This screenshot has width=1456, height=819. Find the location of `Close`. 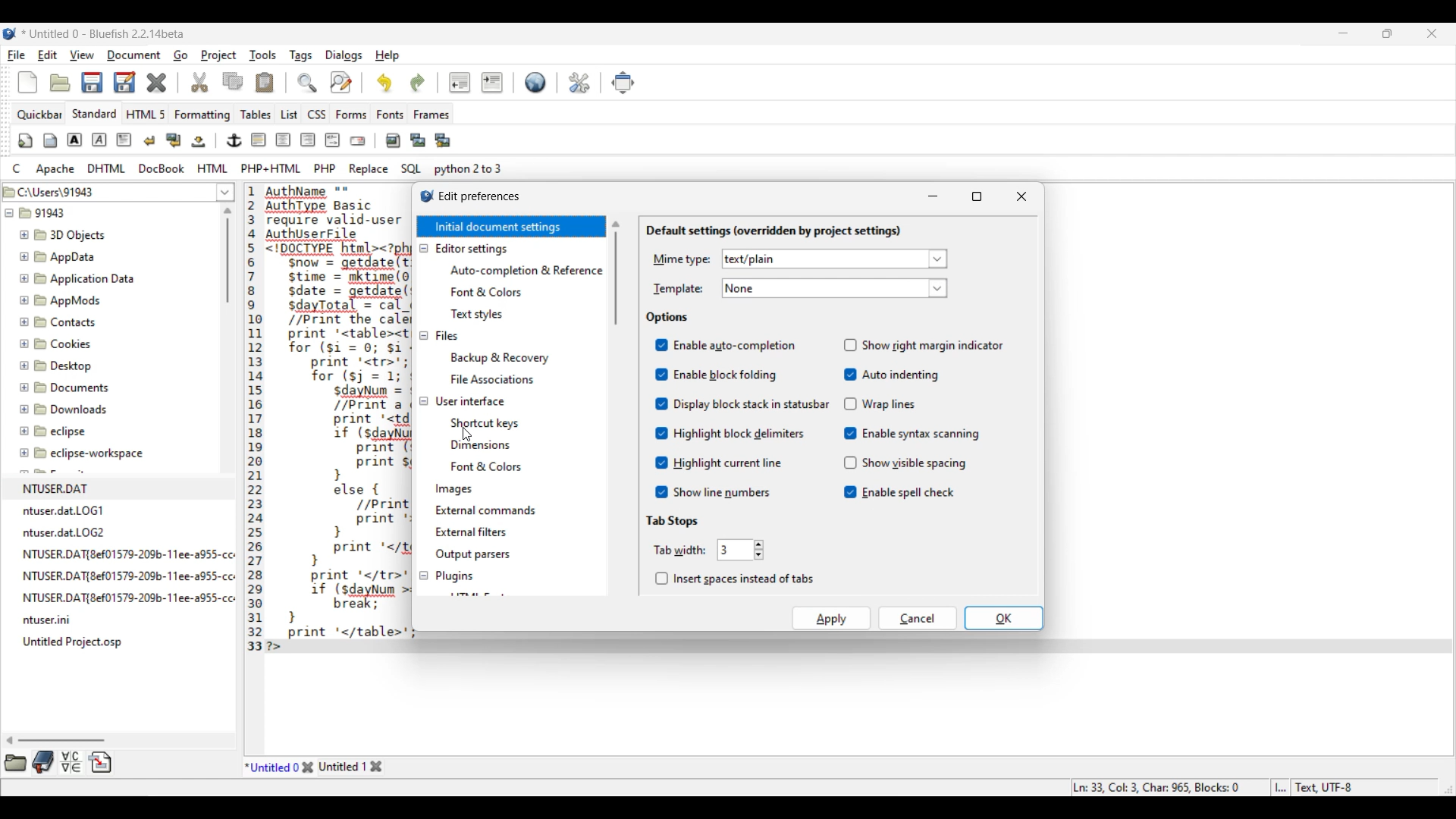

Close is located at coordinates (157, 83).